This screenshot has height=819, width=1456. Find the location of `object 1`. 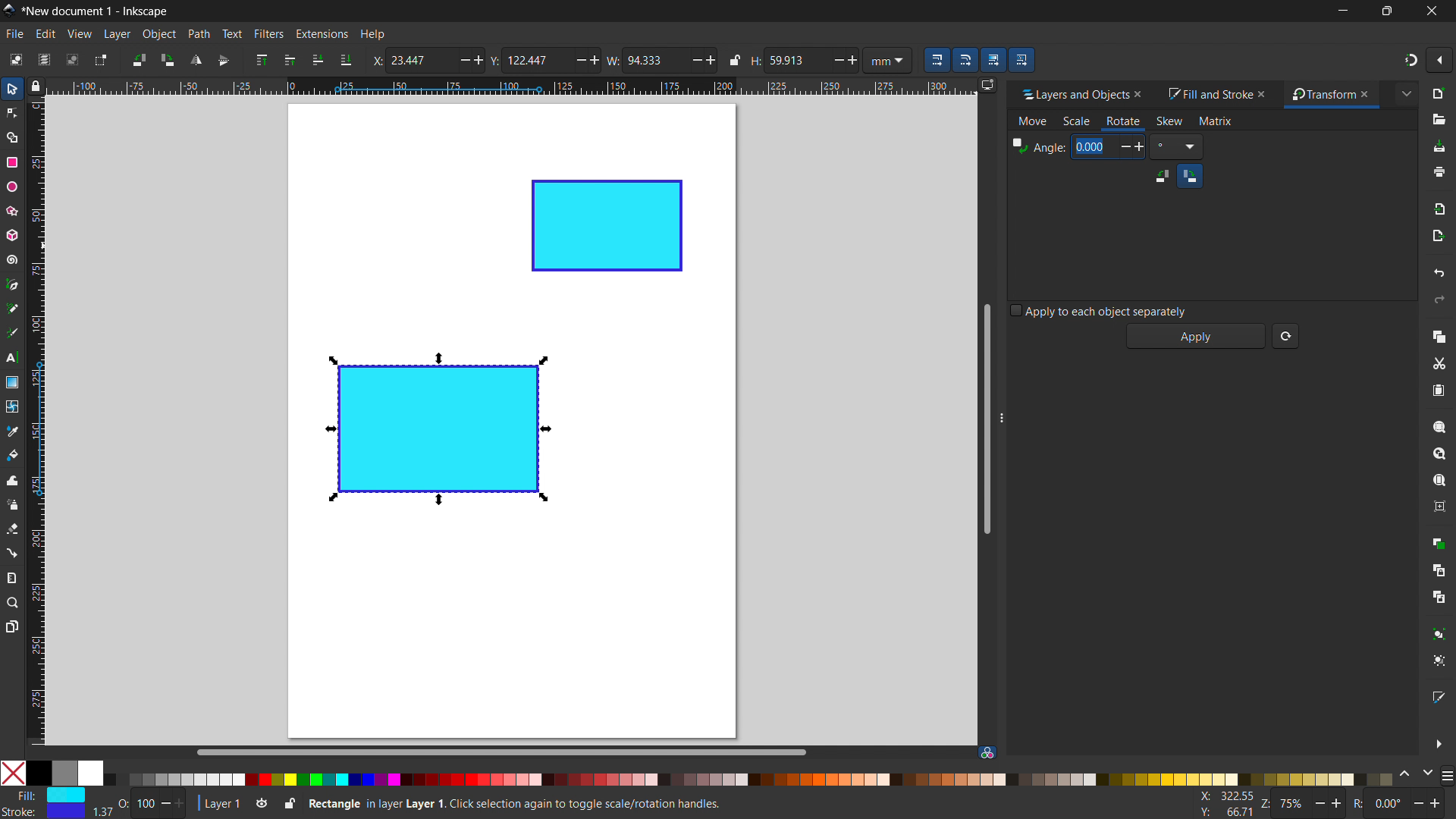

object 1 is located at coordinates (435, 429).